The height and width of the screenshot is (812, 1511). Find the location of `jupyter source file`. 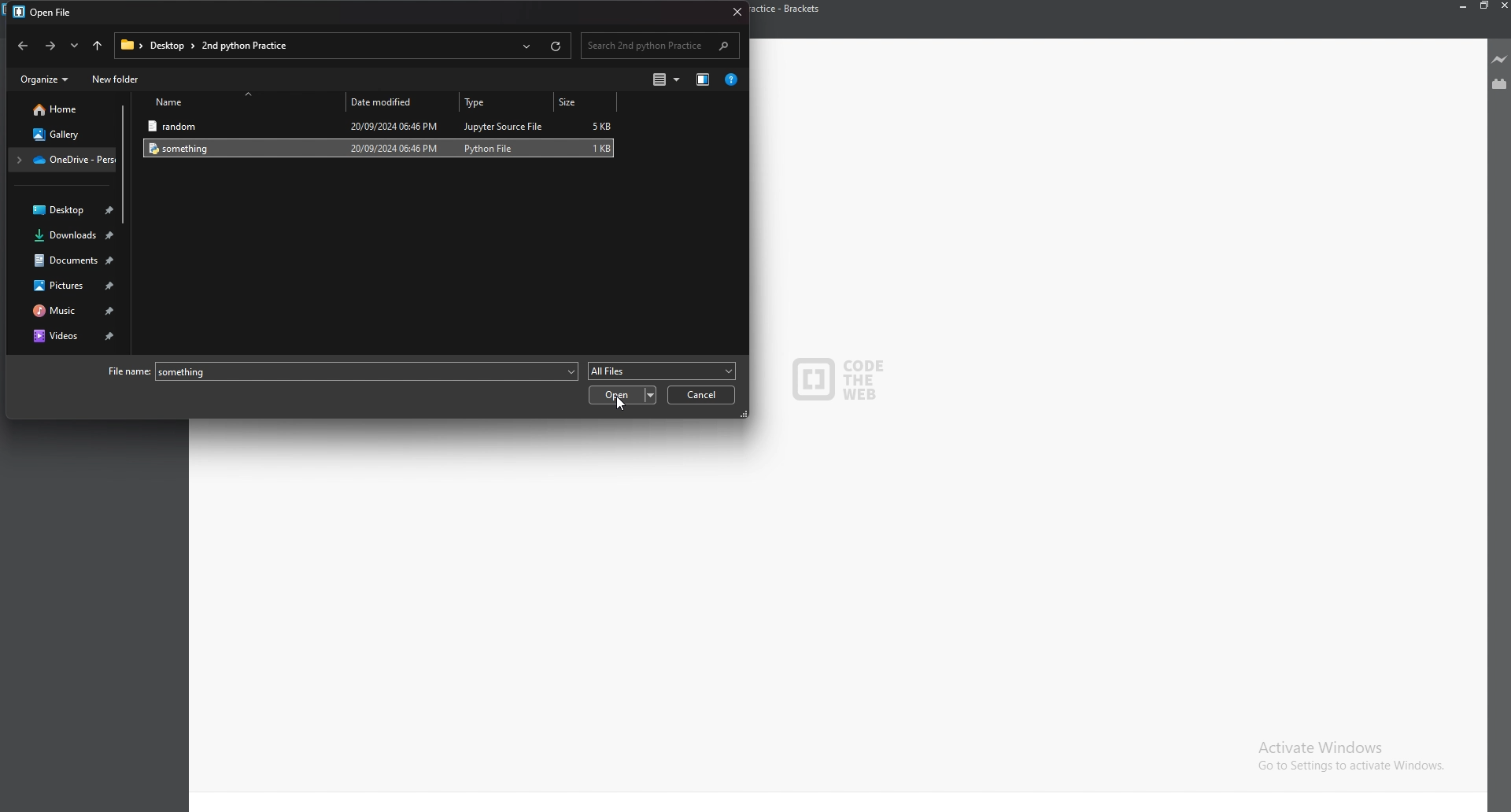

jupyter source file is located at coordinates (504, 126).